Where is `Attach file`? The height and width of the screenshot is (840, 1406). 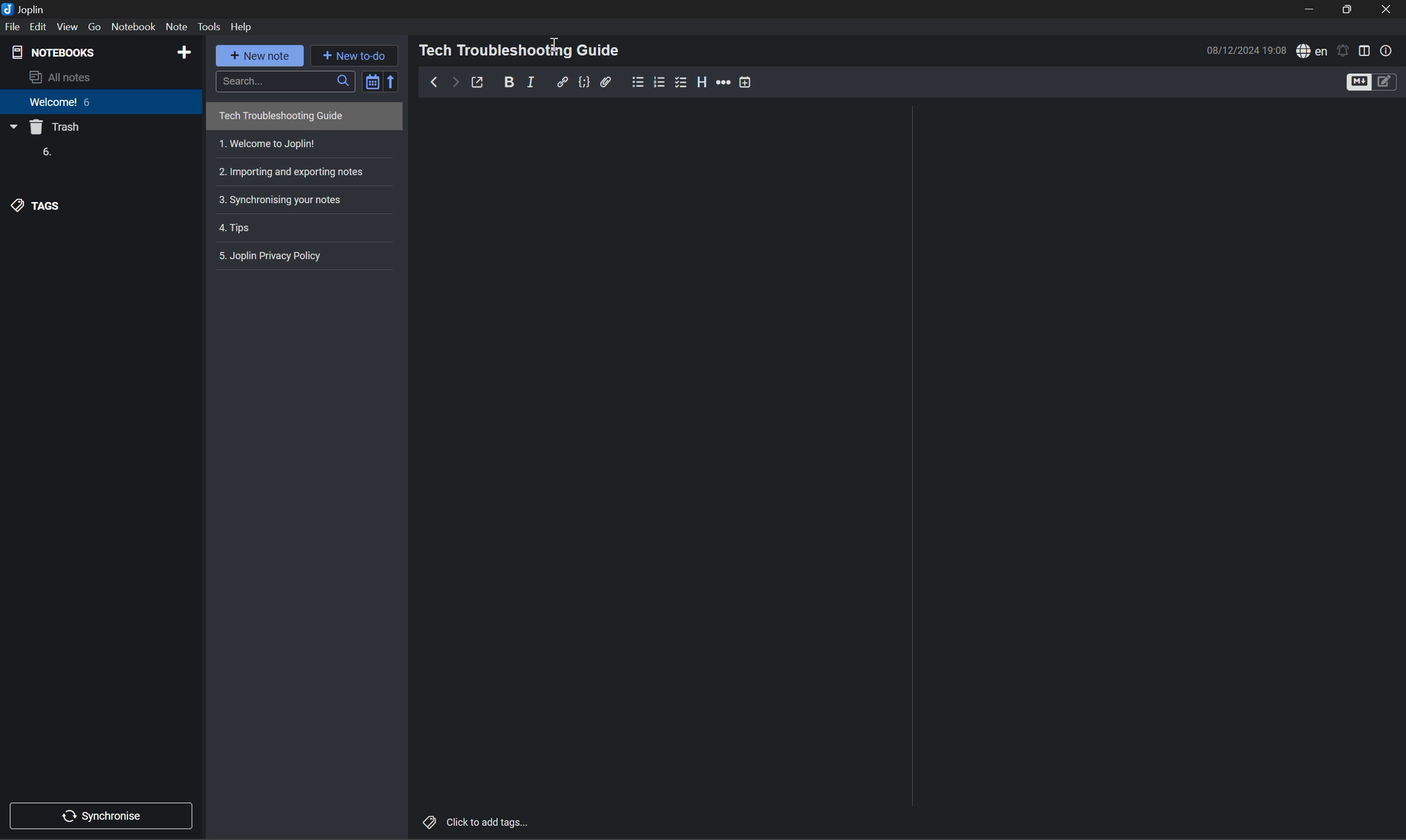 Attach file is located at coordinates (608, 82).